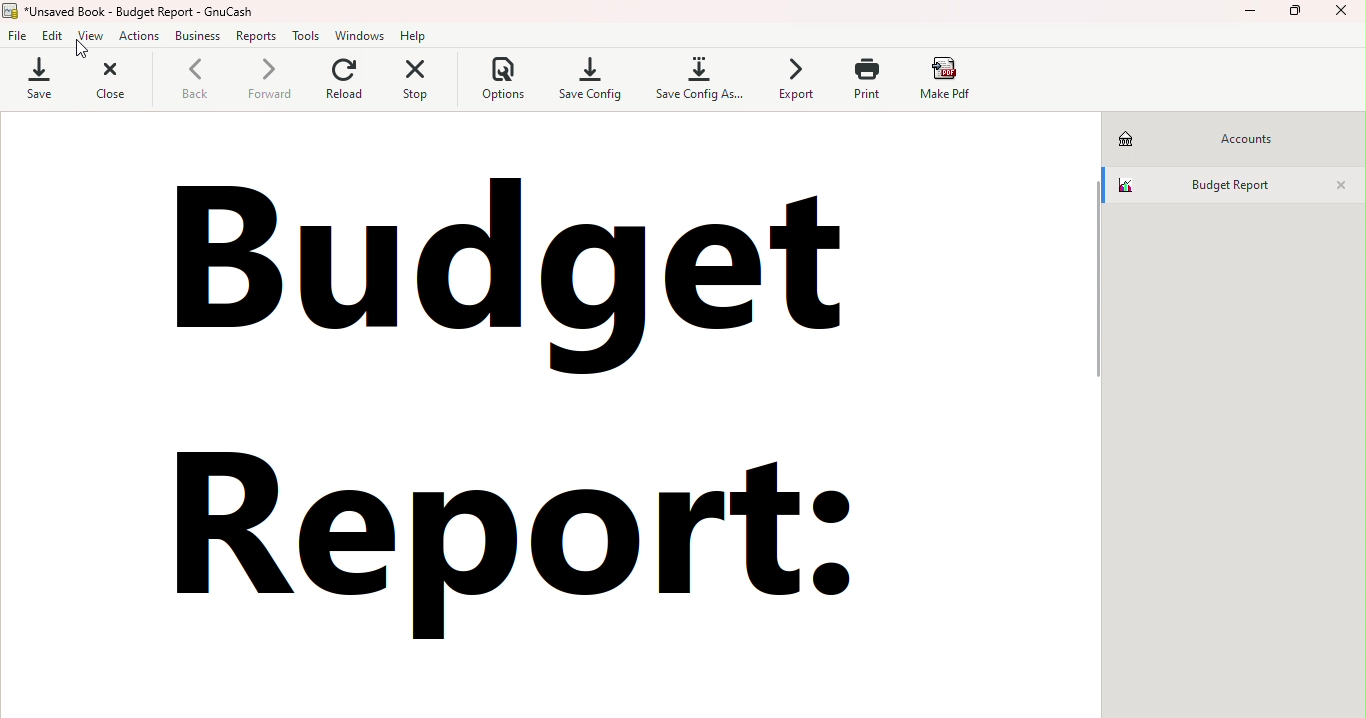  Describe the element at coordinates (79, 49) in the screenshot. I see `cursor` at that location.